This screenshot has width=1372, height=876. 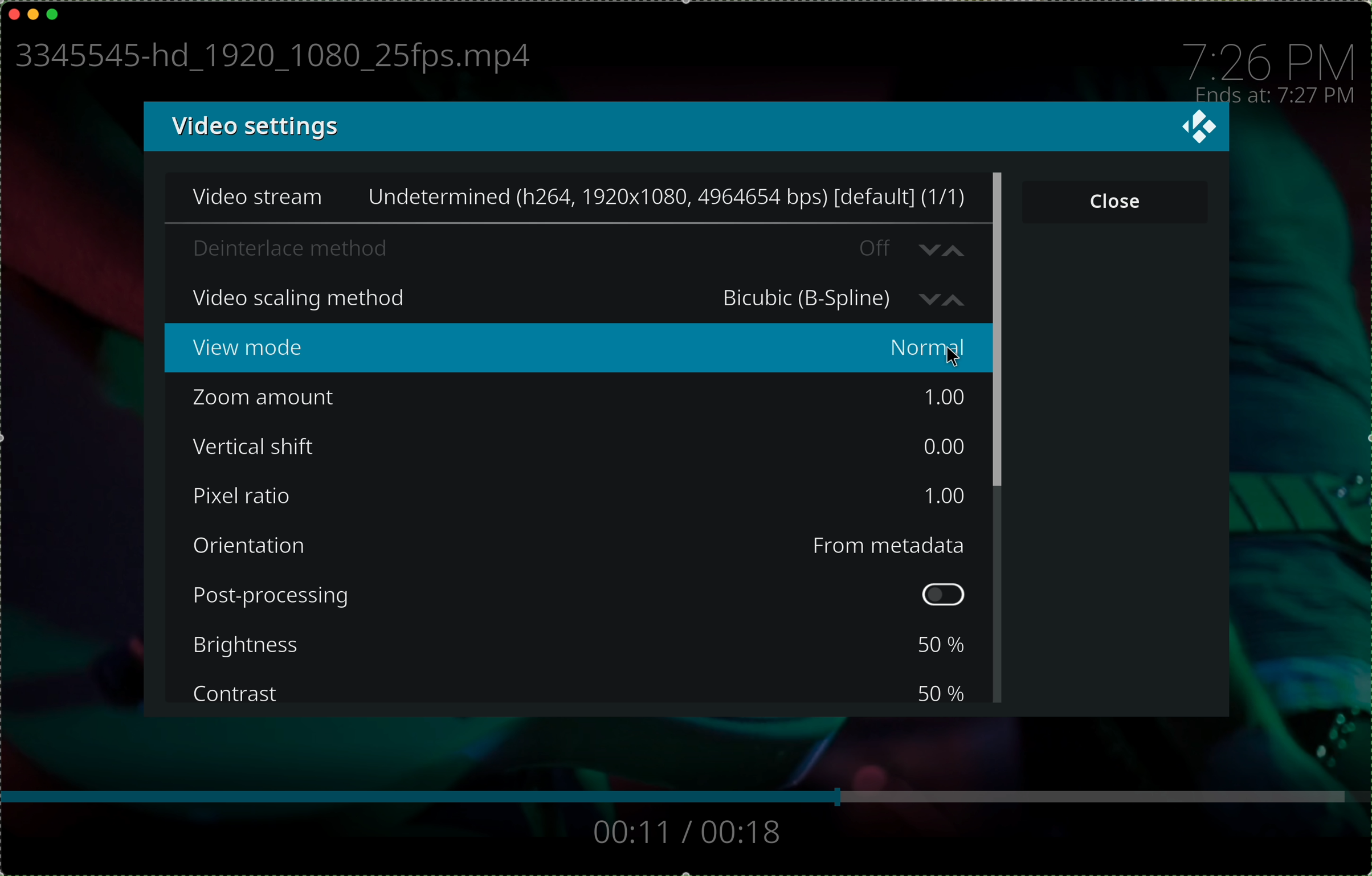 What do you see at coordinates (586, 596) in the screenshot?
I see `post-processing` at bounding box center [586, 596].